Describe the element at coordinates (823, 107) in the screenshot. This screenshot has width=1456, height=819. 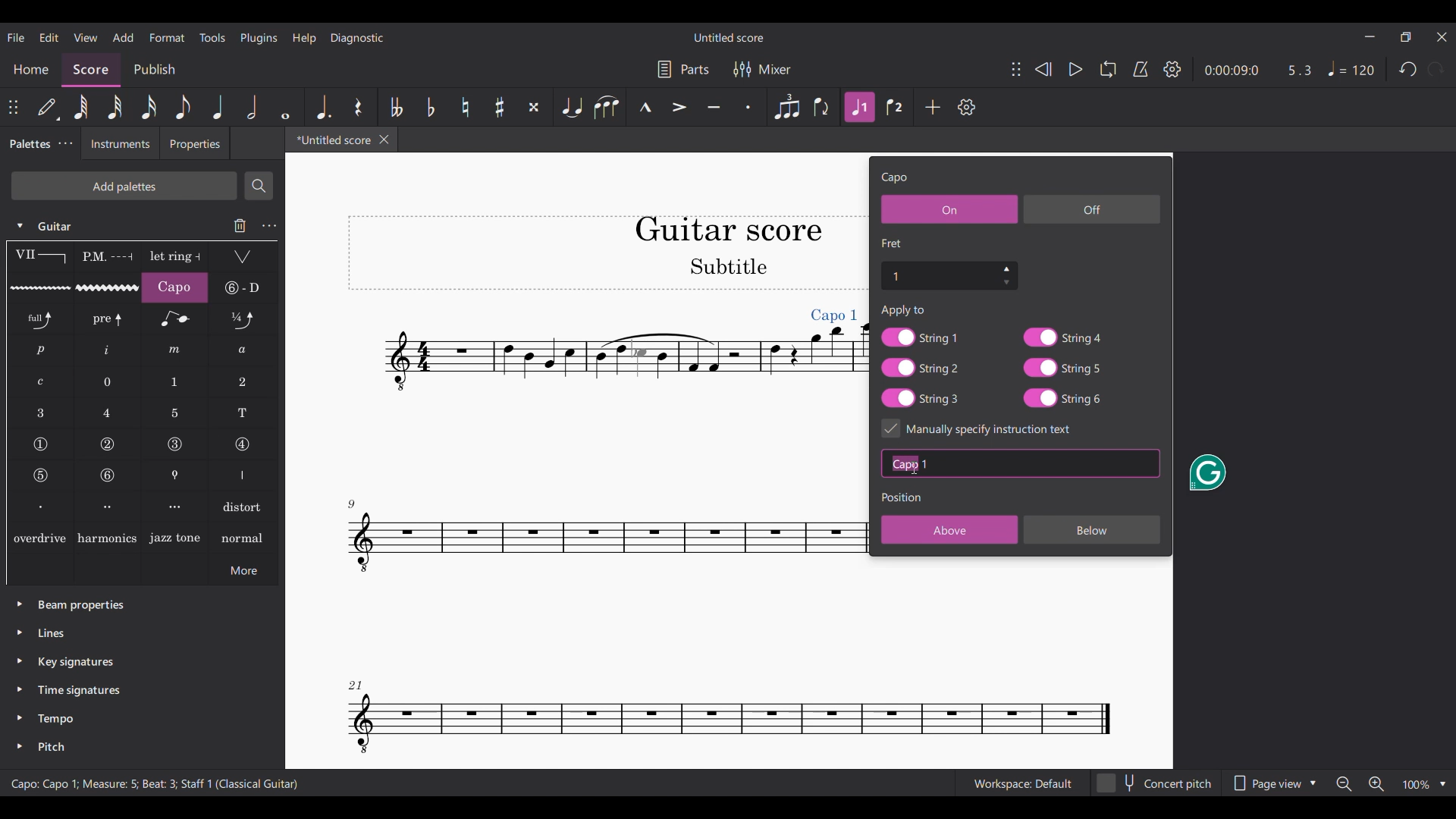
I see `Flip direction` at that location.